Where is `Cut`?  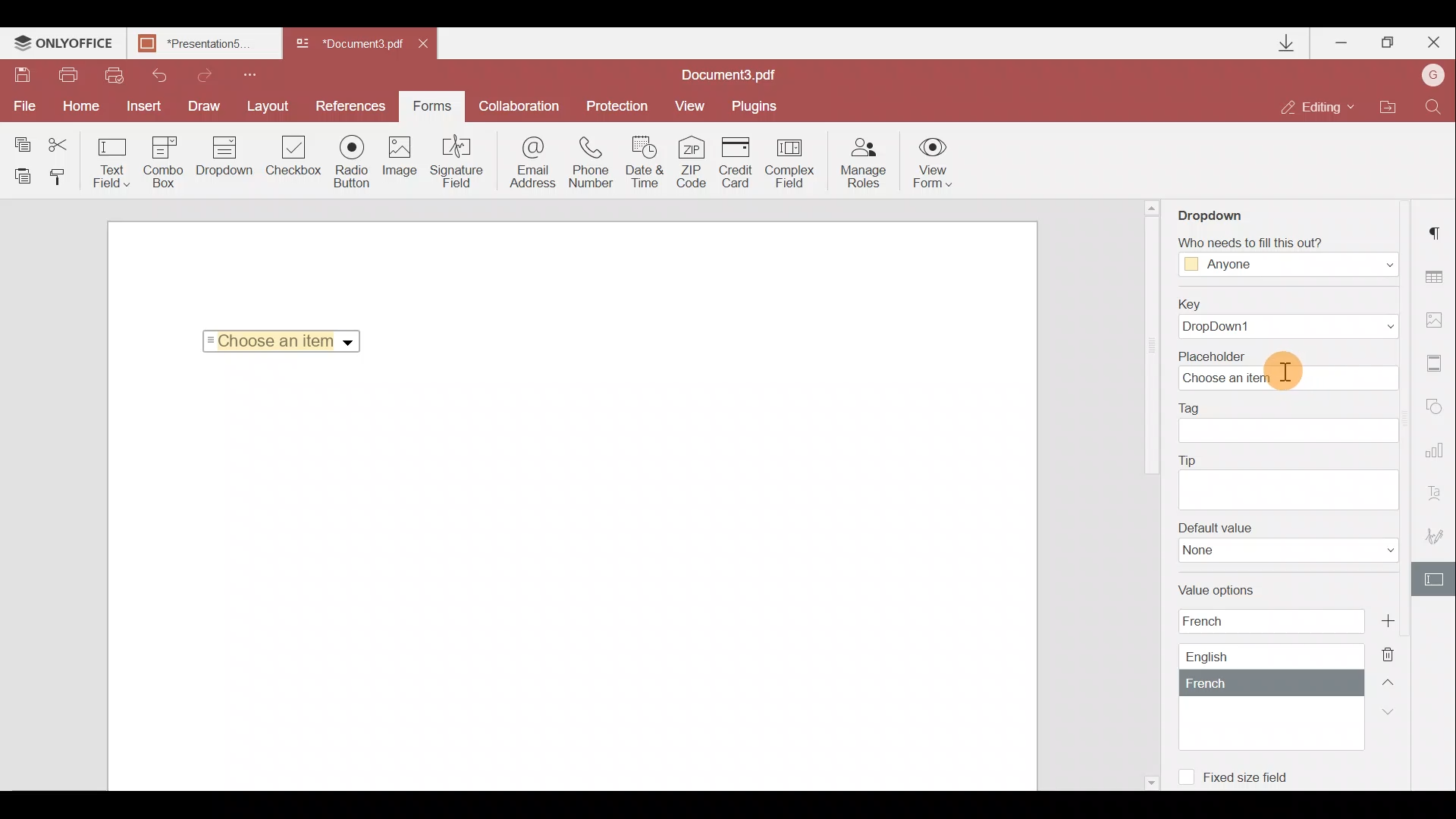 Cut is located at coordinates (67, 142).